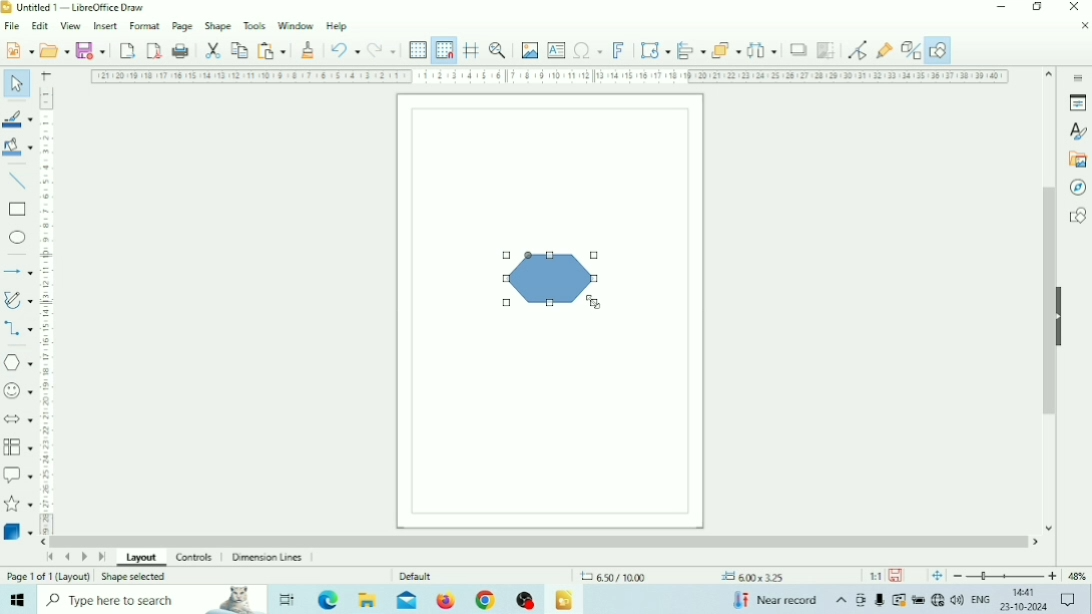 The height and width of the screenshot is (614, 1092). I want to click on Open, so click(54, 50).